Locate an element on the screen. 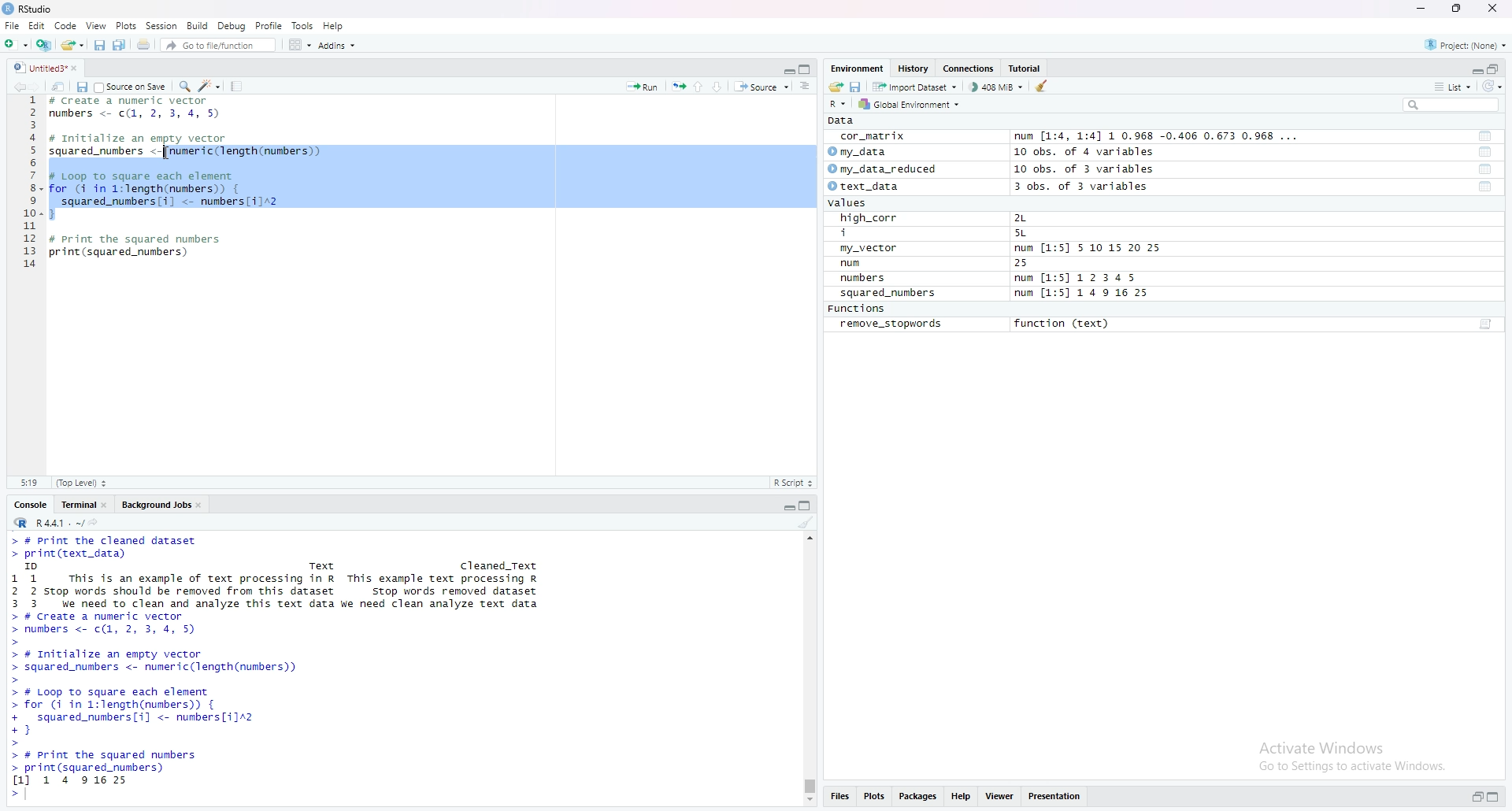 The image size is (1512, 811). Workspace panes is located at coordinates (298, 44).